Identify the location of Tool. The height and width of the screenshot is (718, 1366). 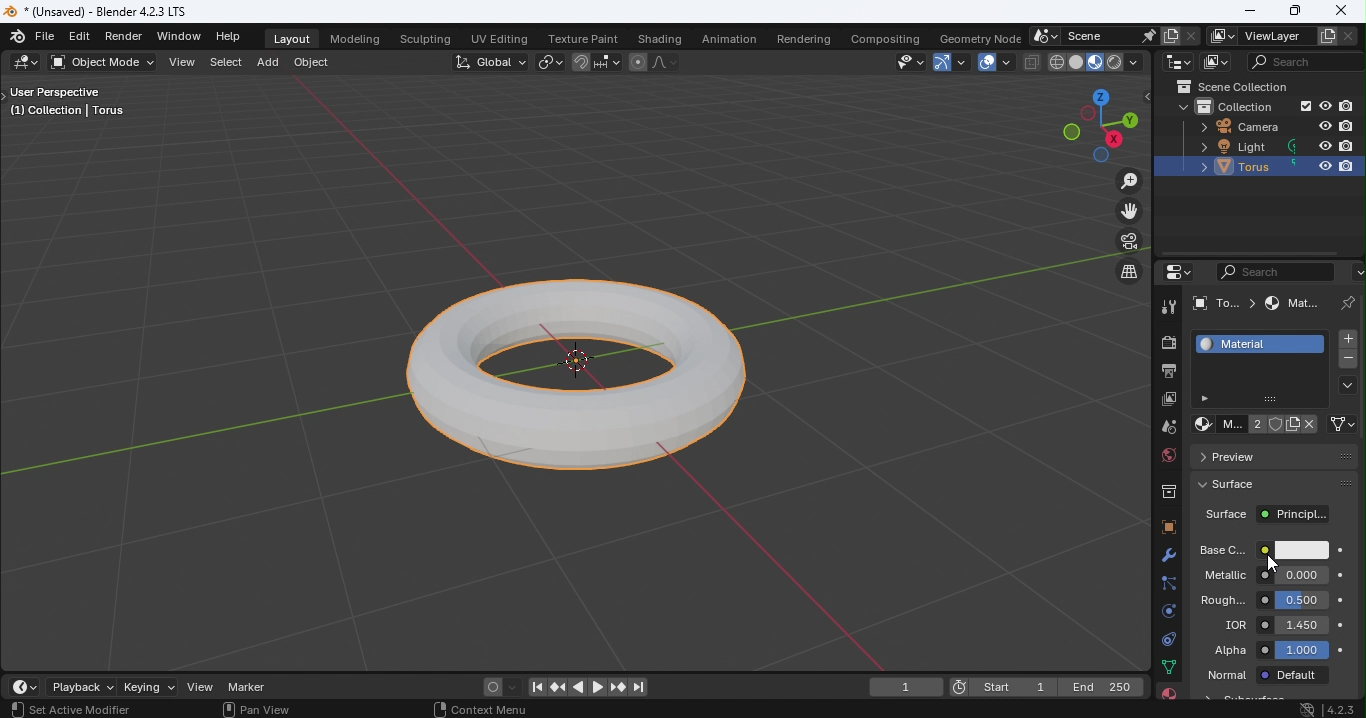
(1167, 306).